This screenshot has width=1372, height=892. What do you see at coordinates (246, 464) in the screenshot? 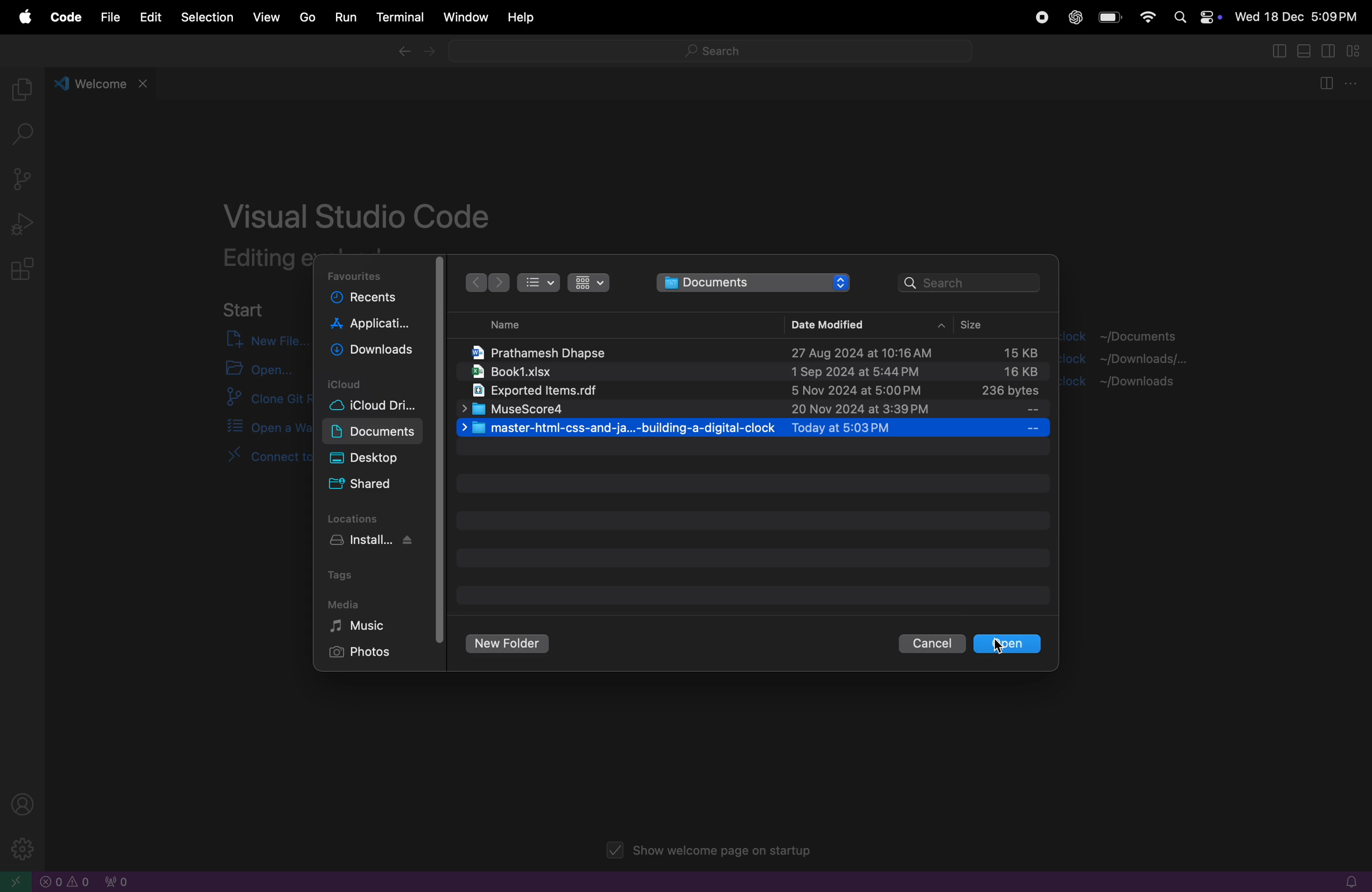
I see `connect` at bounding box center [246, 464].